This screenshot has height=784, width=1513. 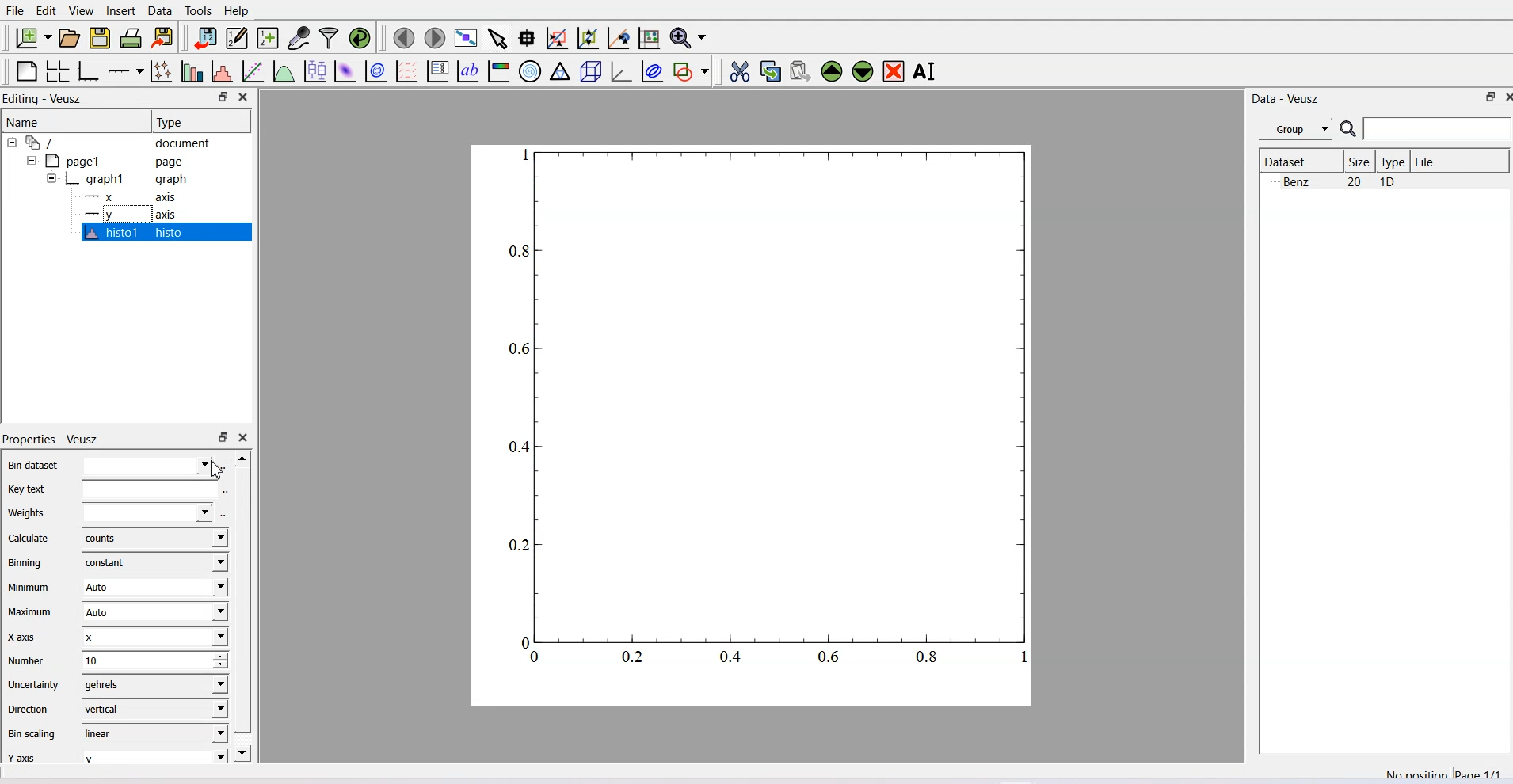 I want to click on Open a document, so click(x=69, y=37).